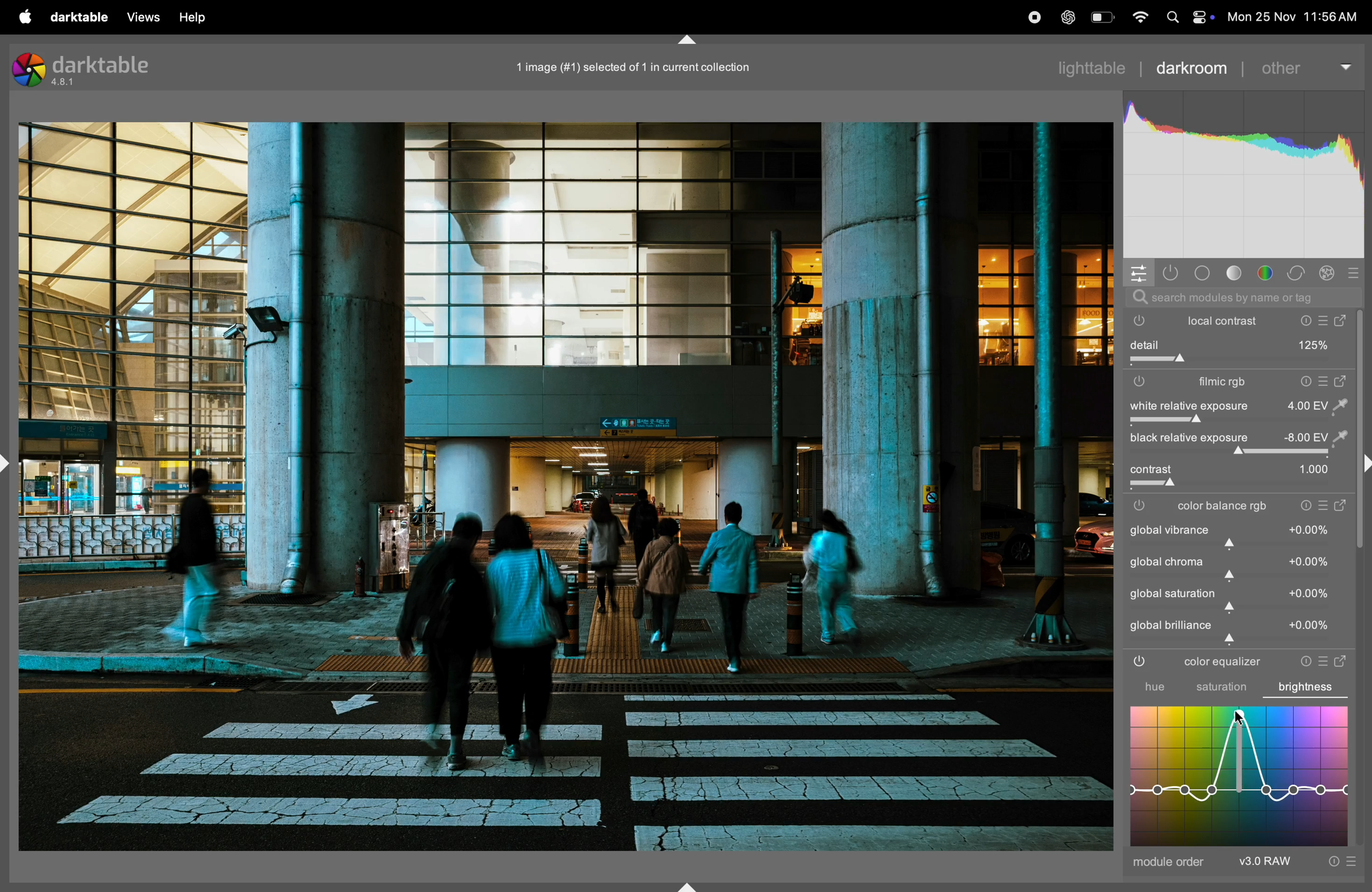  Describe the element at coordinates (1303, 381) in the screenshot. I see `reset parameters` at that location.